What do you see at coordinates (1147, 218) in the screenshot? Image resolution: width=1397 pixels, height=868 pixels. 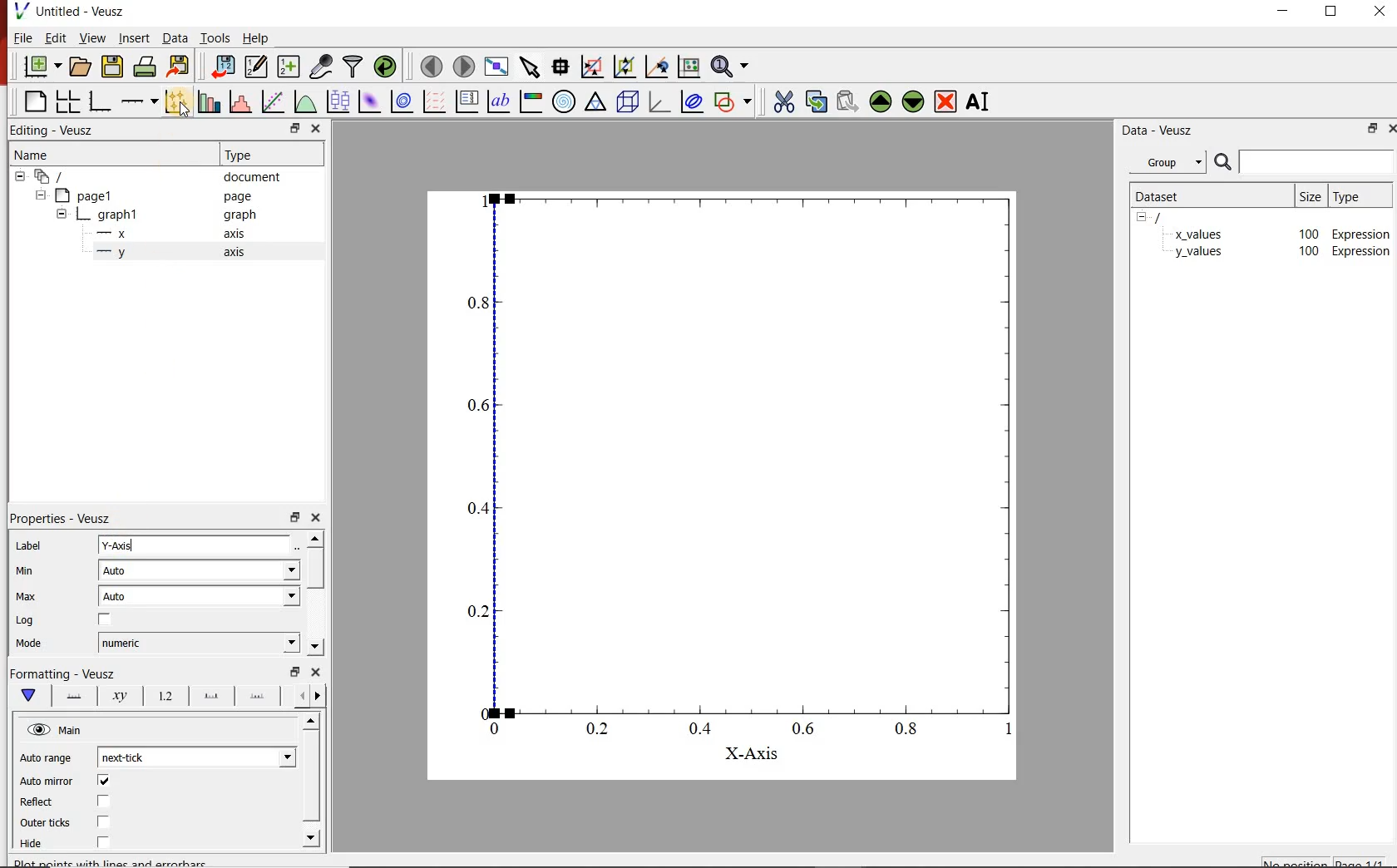 I see `hide` at bounding box center [1147, 218].